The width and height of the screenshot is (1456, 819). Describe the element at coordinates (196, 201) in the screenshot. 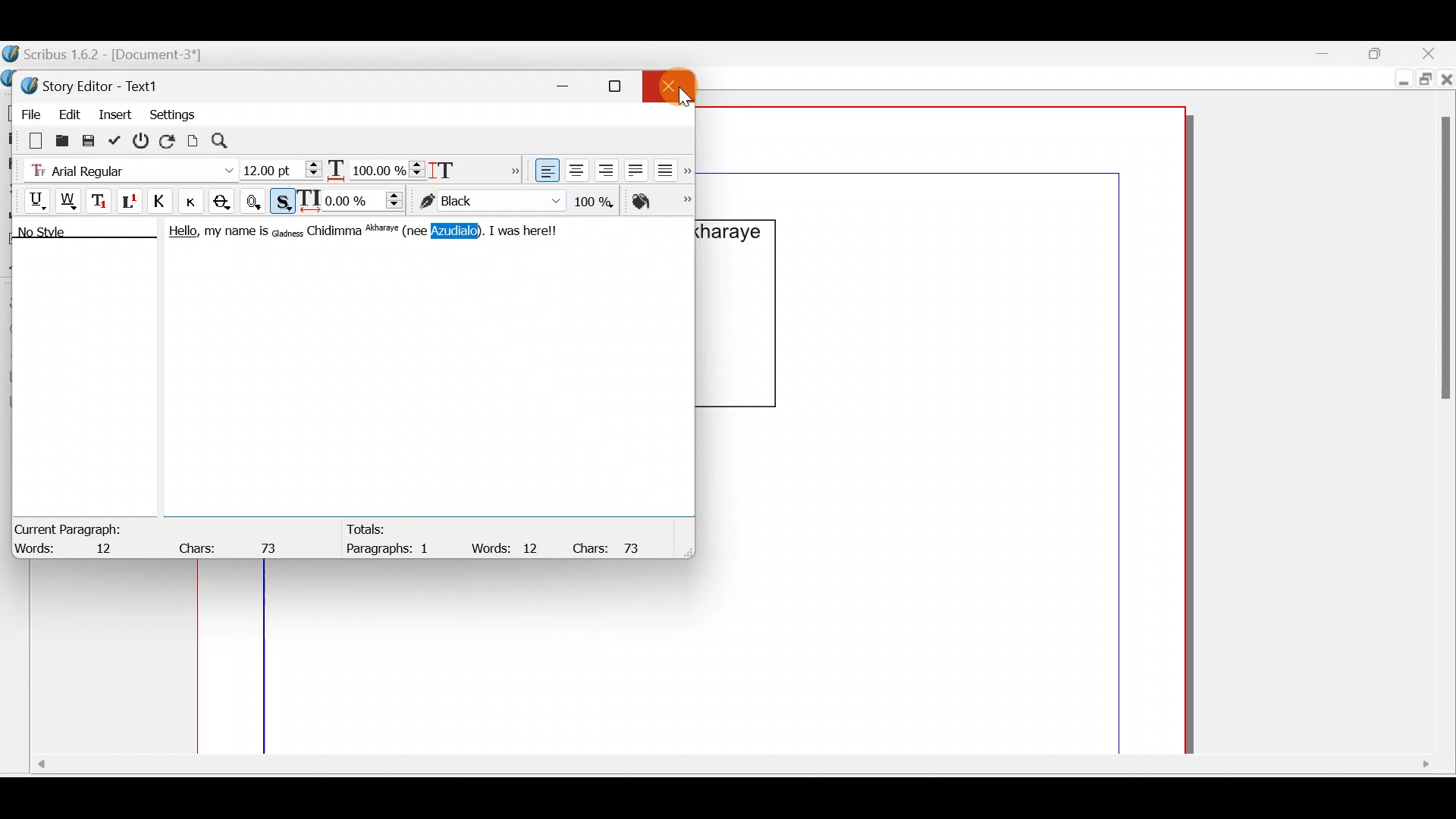

I see `` at that location.